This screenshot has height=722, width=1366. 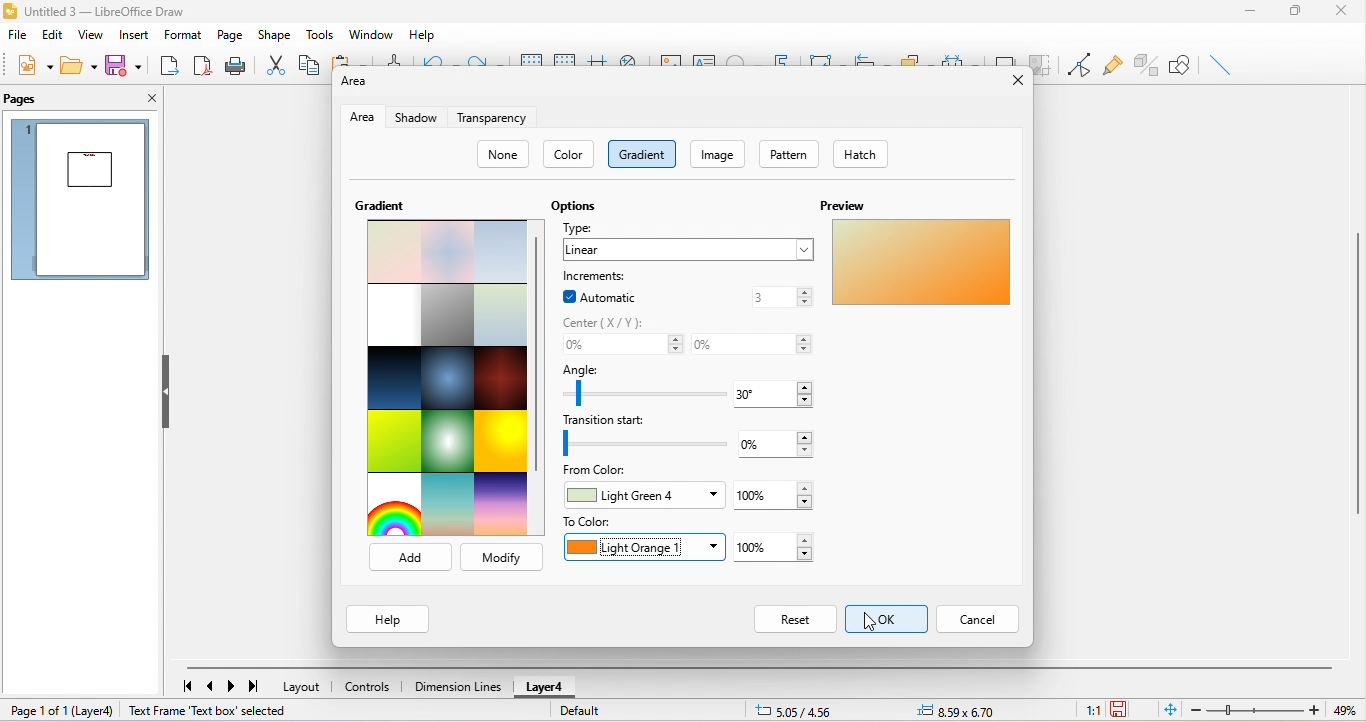 What do you see at coordinates (596, 276) in the screenshot?
I see `increments` at bounding box center [596, 276].